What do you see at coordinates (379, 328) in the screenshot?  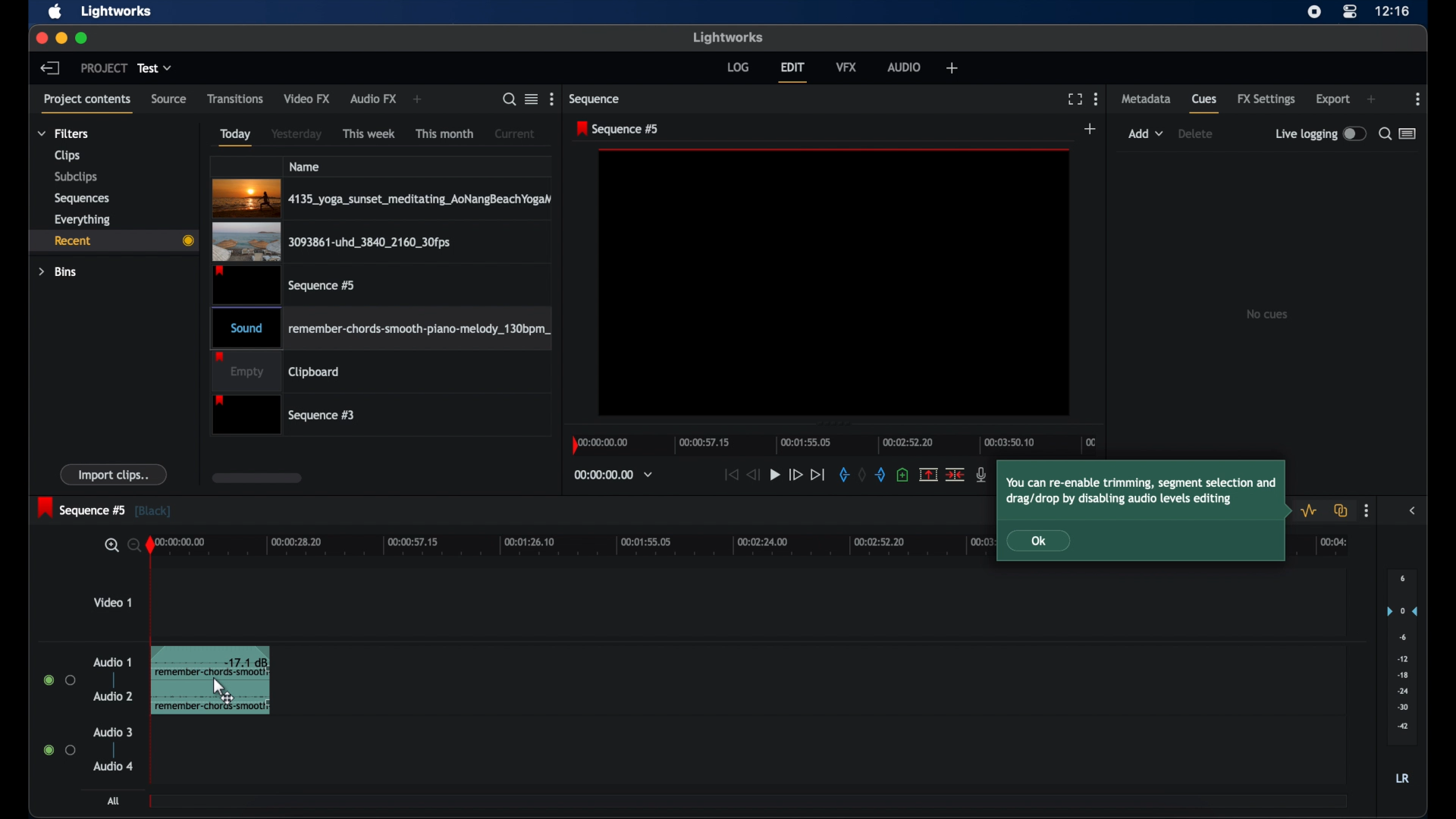 I see `Sound remember-chords-smooth-piano-melody_130bpm_` at bounding box center [379, 328].